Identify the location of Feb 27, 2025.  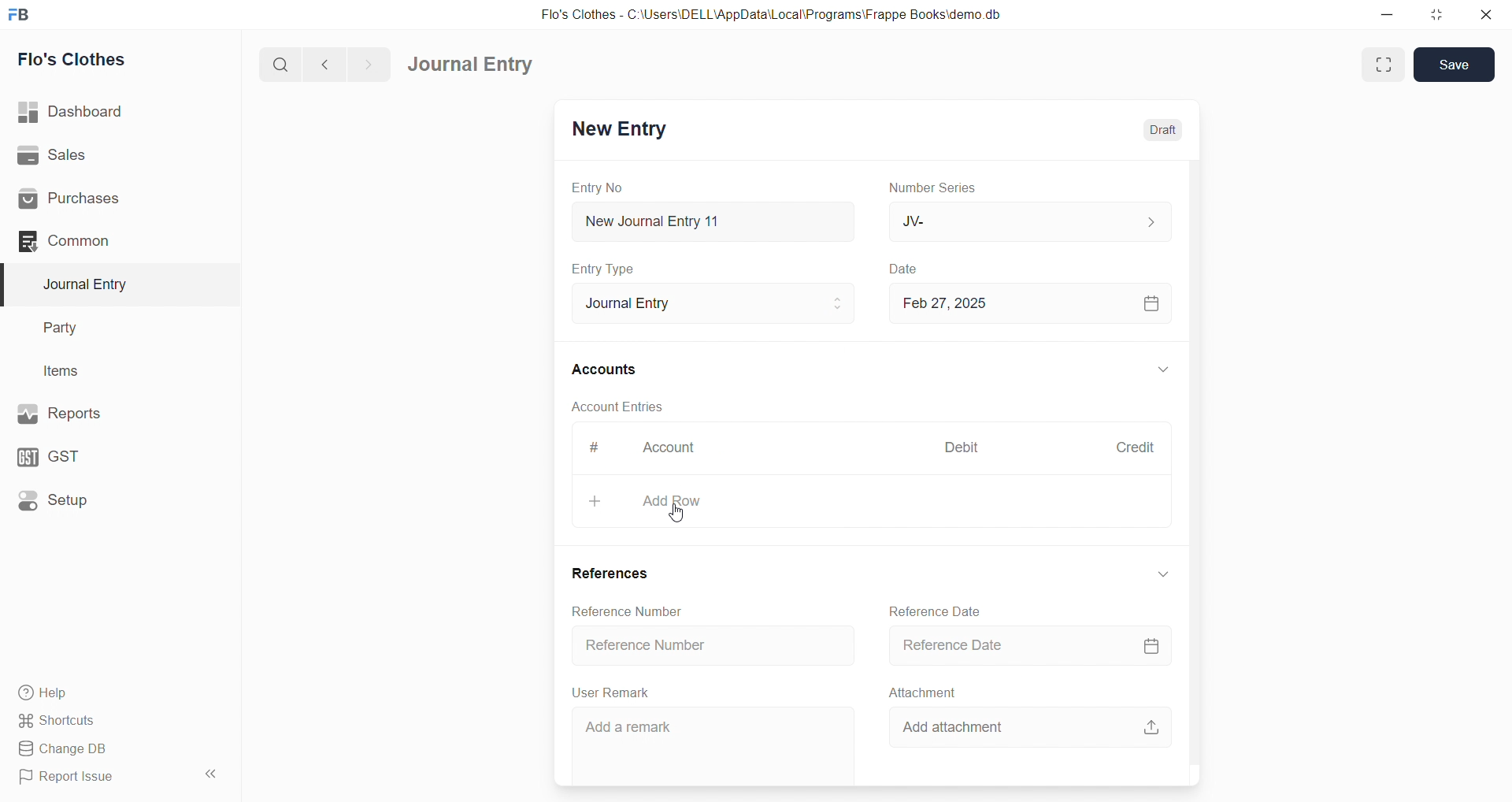
(1028, 303).